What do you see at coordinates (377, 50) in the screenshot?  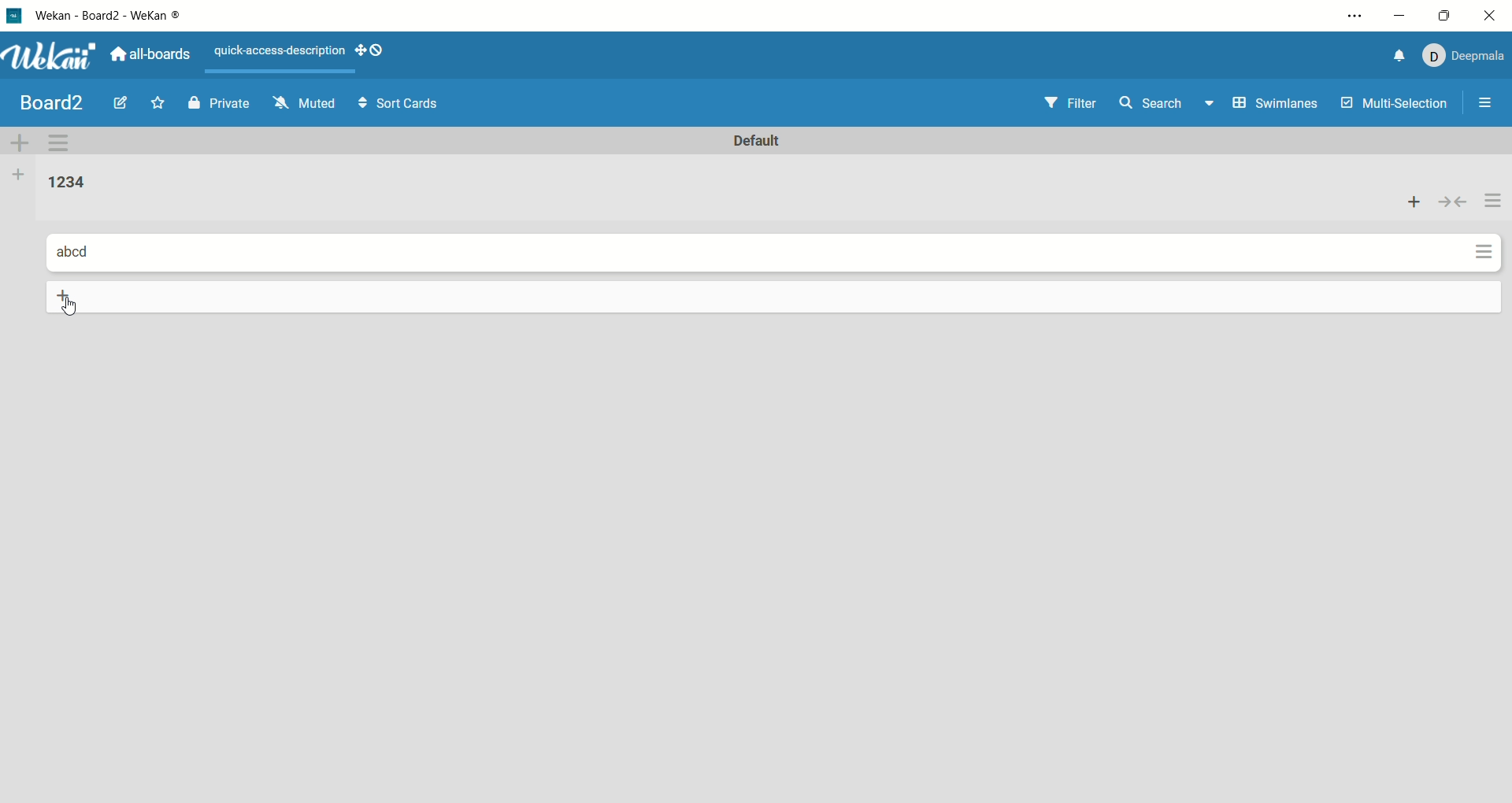 I see `show-desktop-drag-handles` at bounding box center [377, 50].